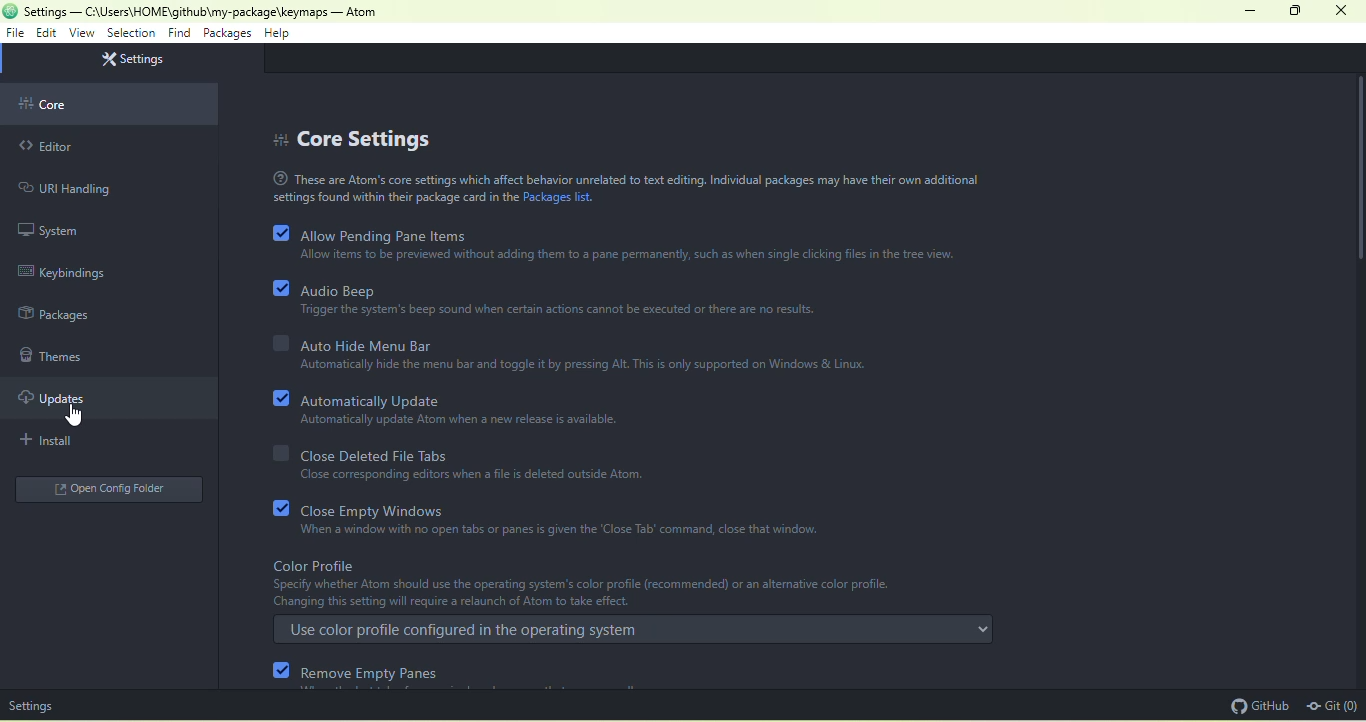 This screenshot has height=722, width=1366. Describe the element at coordinates (275, 398) in the screenshot. I see `checkbox with ticks` at that location.